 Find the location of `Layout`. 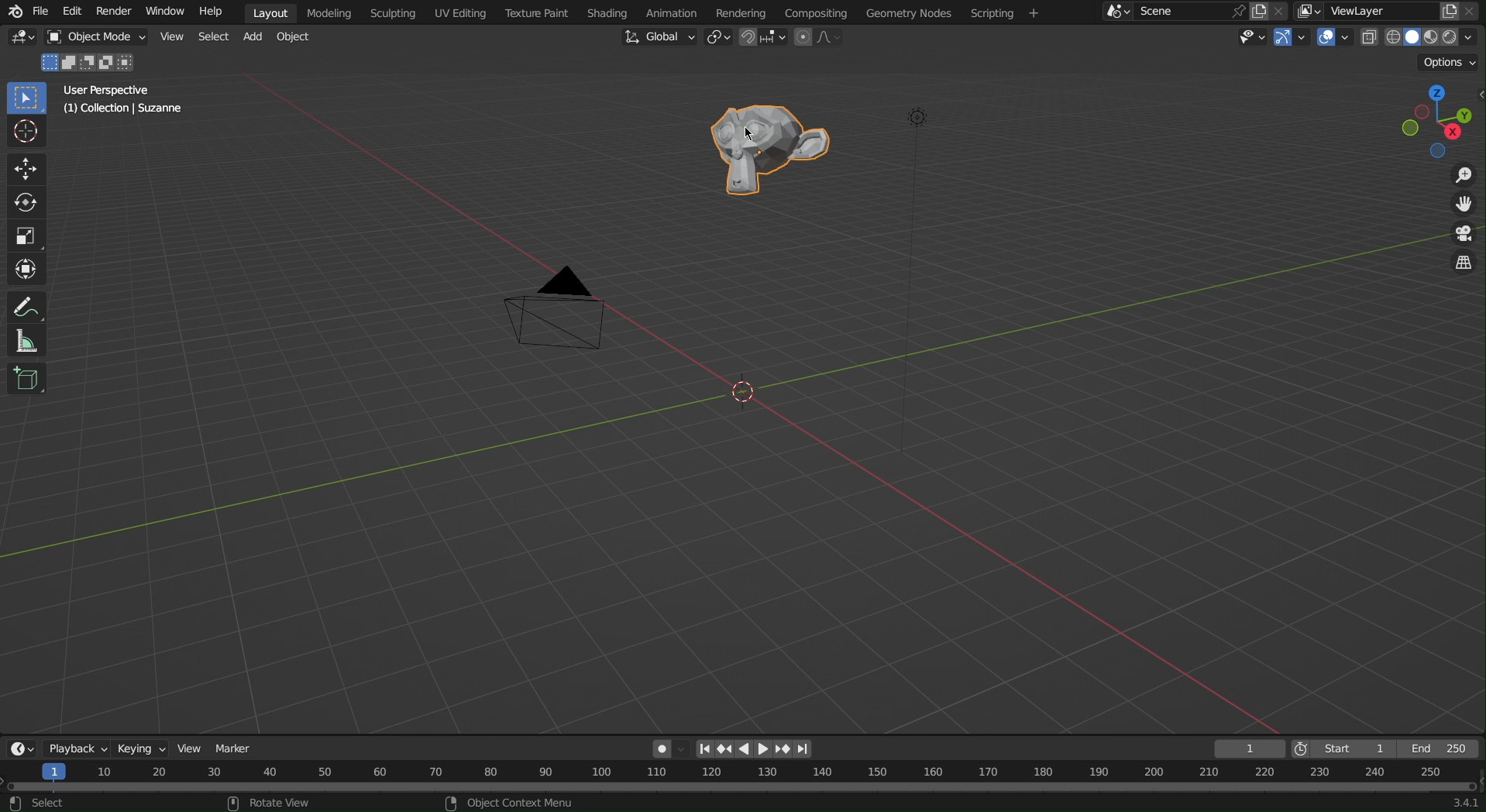

Layout is located at coordinates (269, 12).